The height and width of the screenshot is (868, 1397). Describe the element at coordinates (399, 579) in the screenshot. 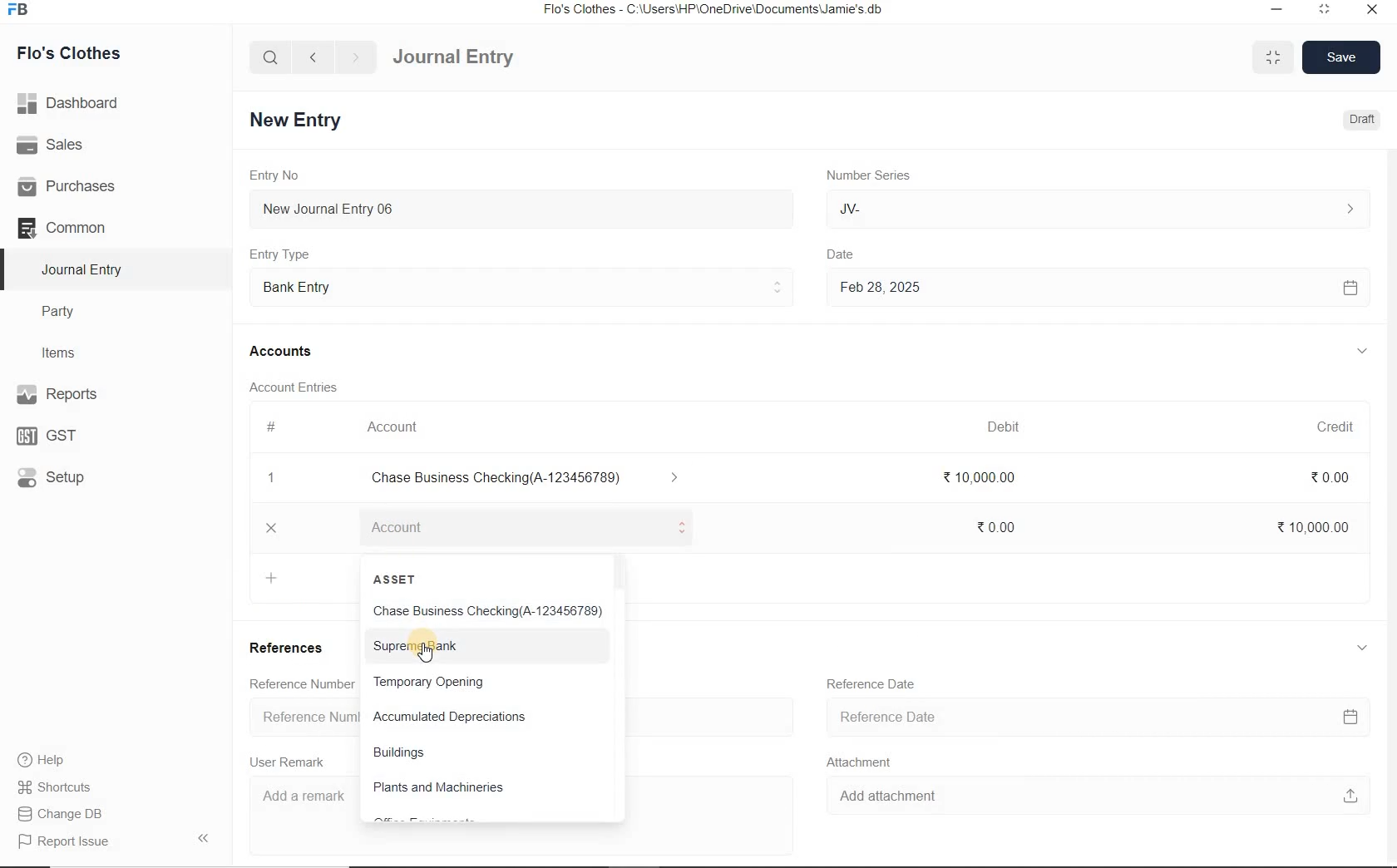

I see `ASSET` at that location.